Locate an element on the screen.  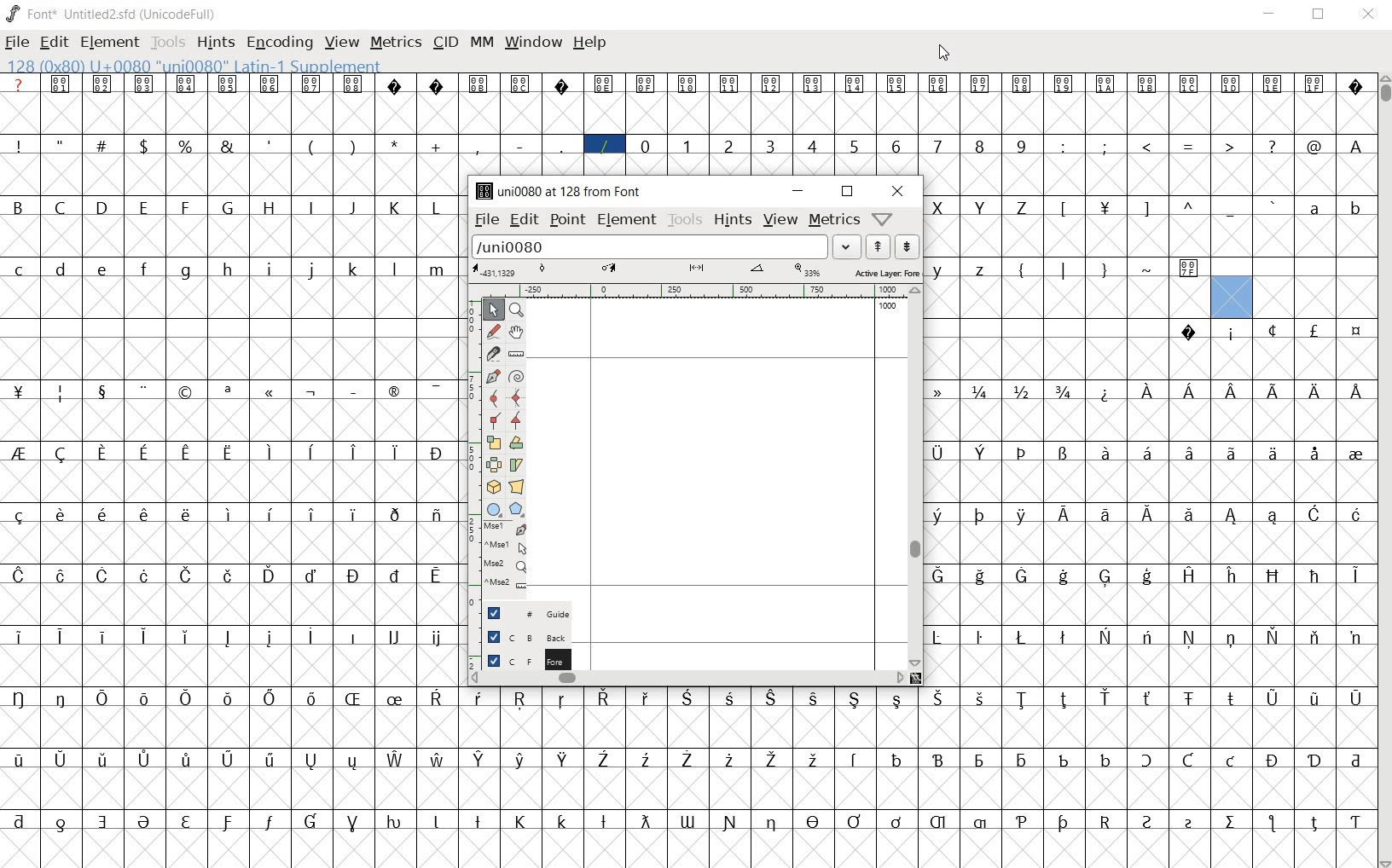
glyph is located at coordinates (1147, 698).